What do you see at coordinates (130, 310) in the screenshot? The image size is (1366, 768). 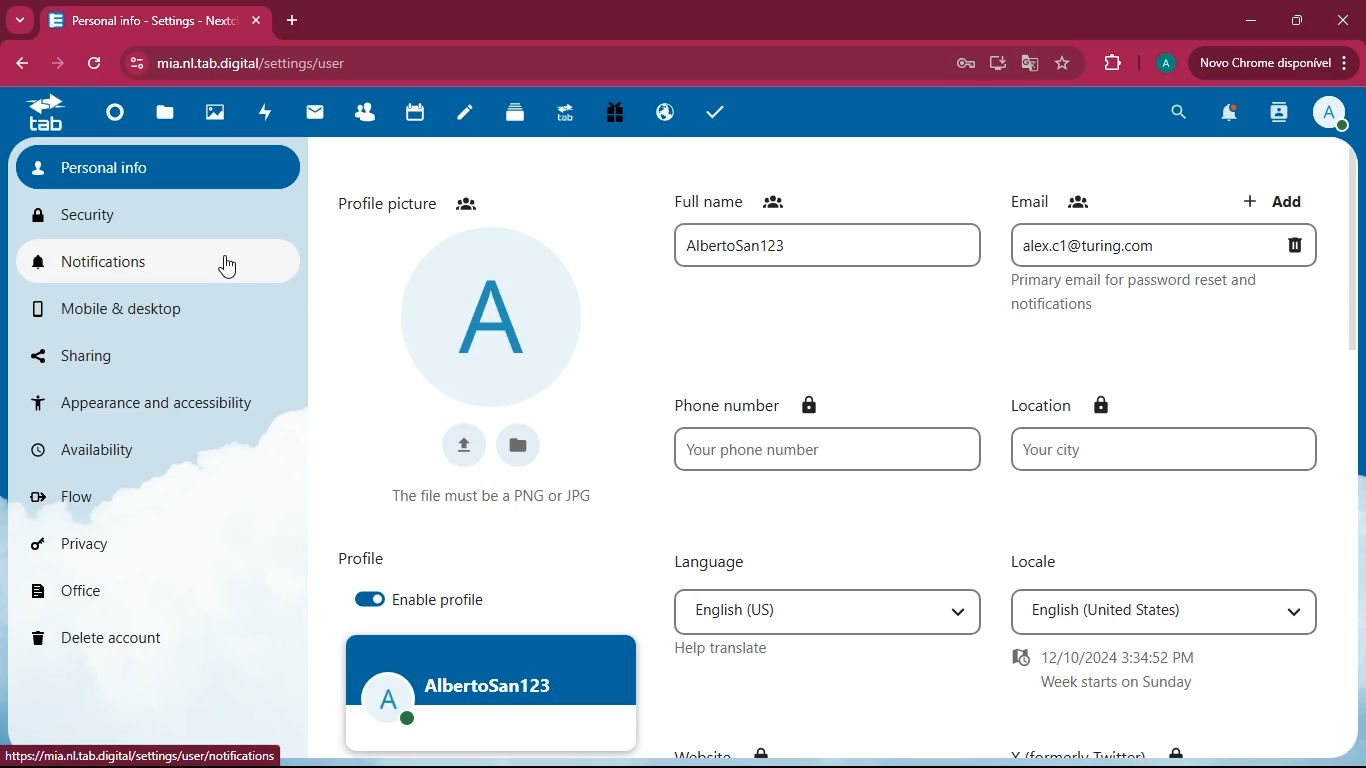 I see `mobile` at bounding box center [130, 310].